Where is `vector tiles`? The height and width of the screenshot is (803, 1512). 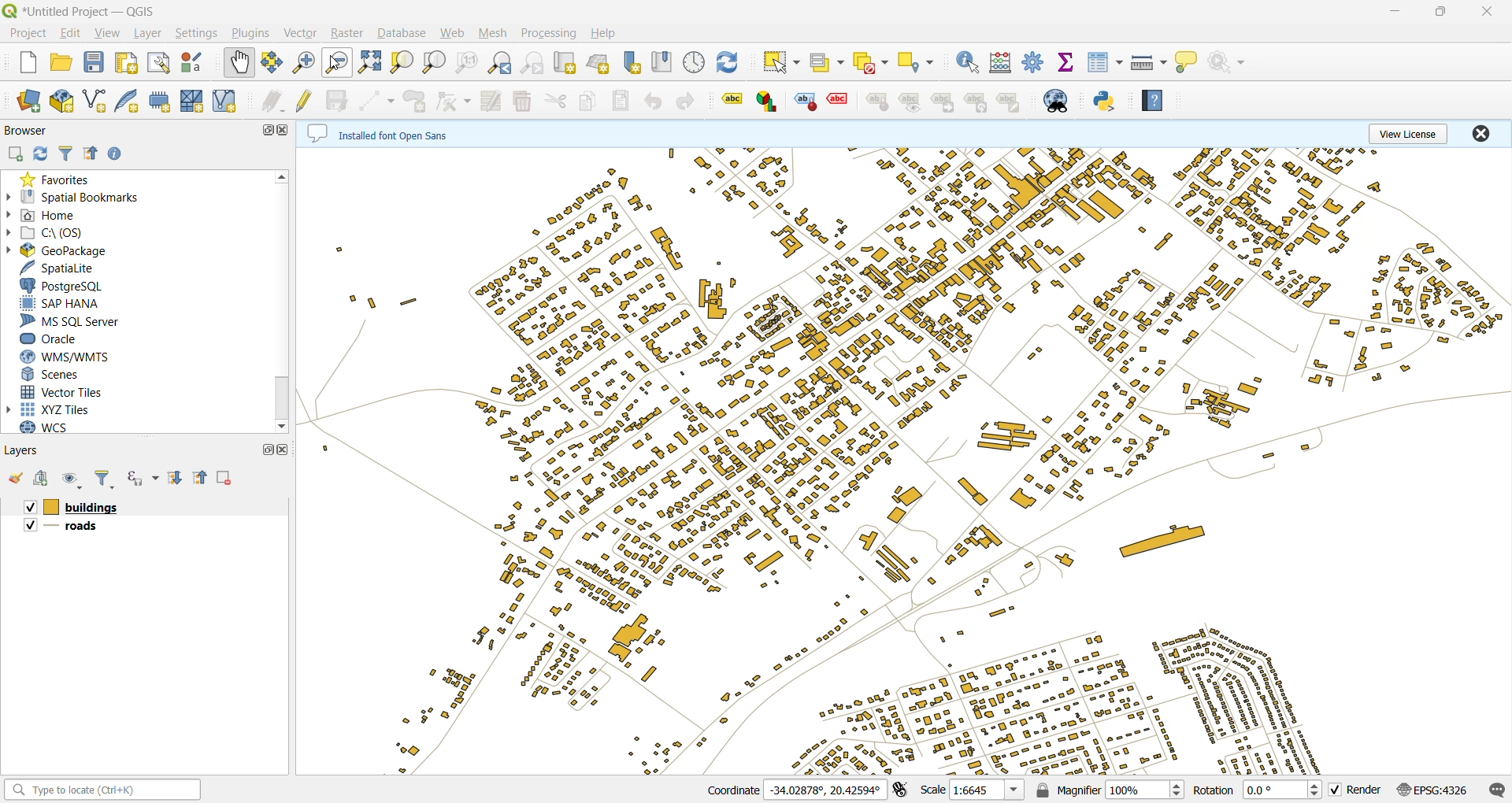
vector tiles is located at coordinates (66, 391).